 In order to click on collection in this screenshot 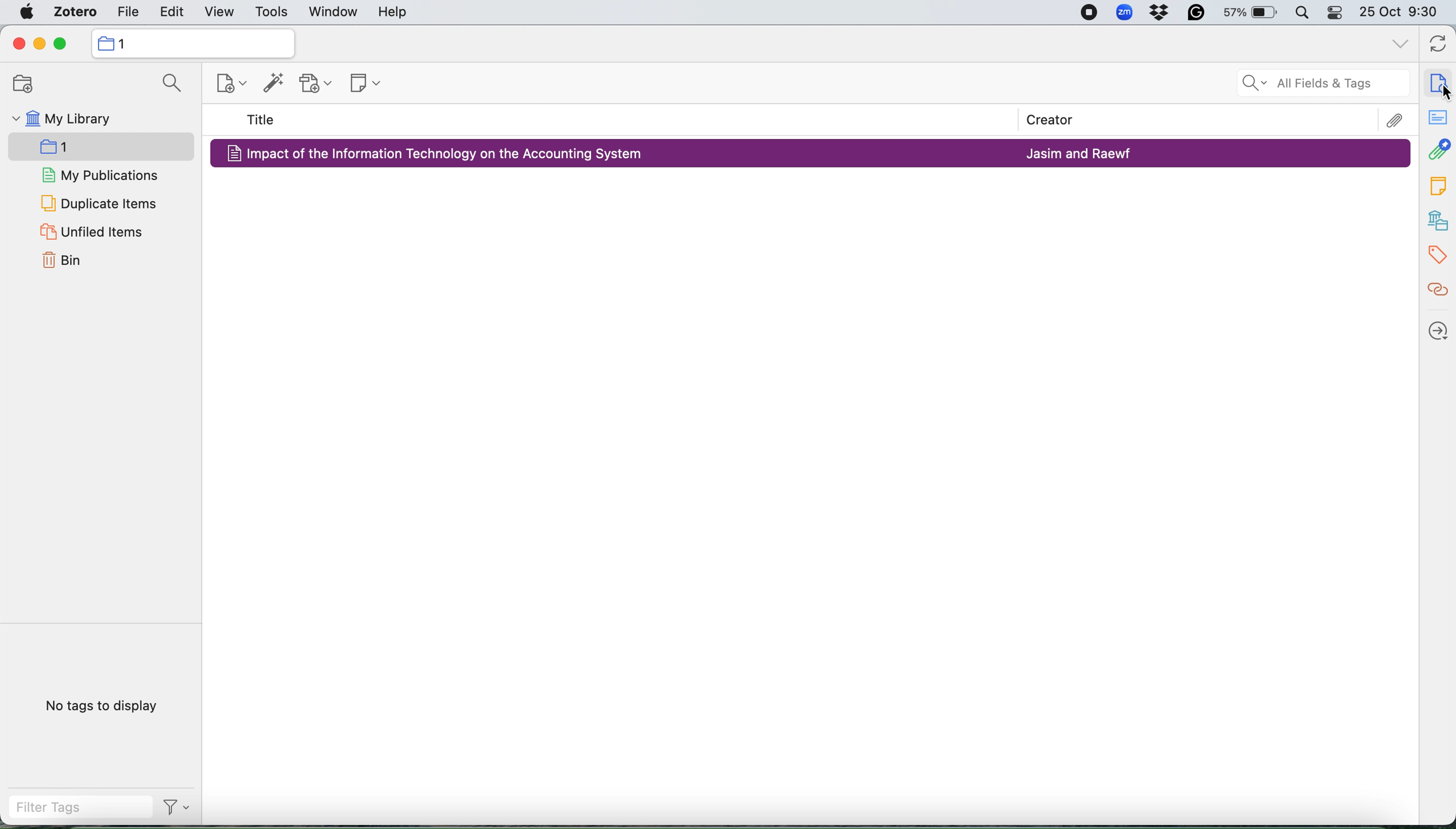, I will do `click(193, 43)`.